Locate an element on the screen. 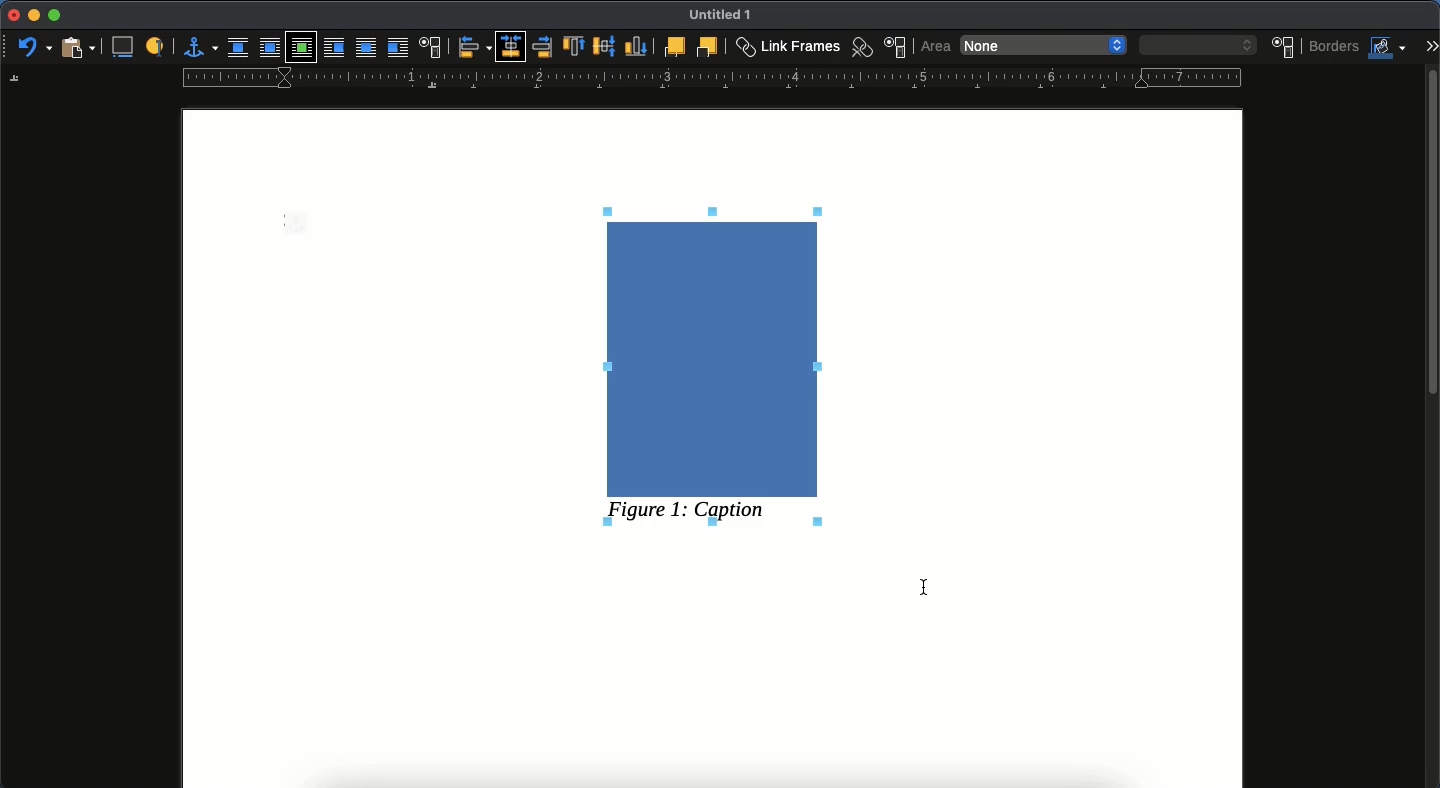 The image size is (1440, 788). text wrap is located at coordinates (431, 47).